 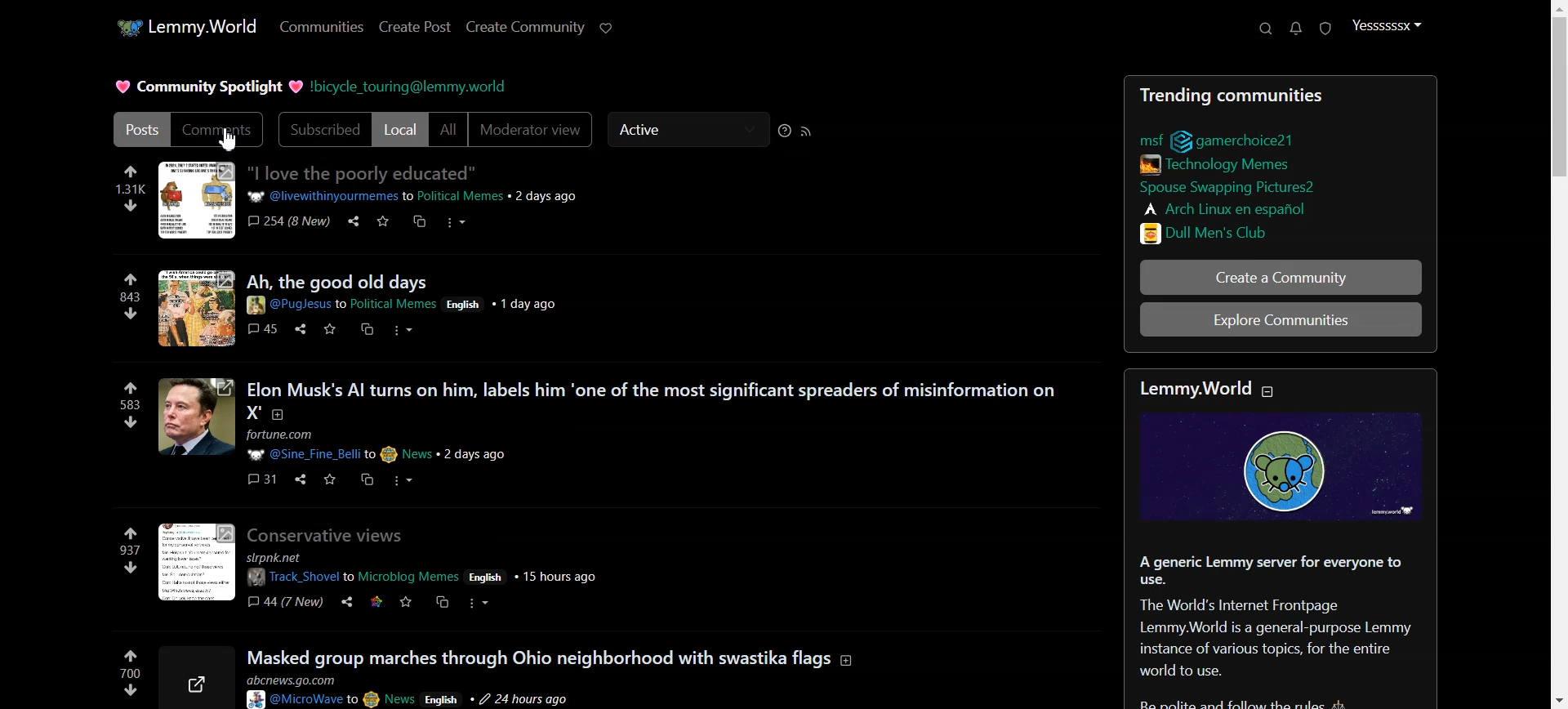 What do you see at coordinates (328, 328) in the screenshot?
I see `save` at bounding box center [328, 328].